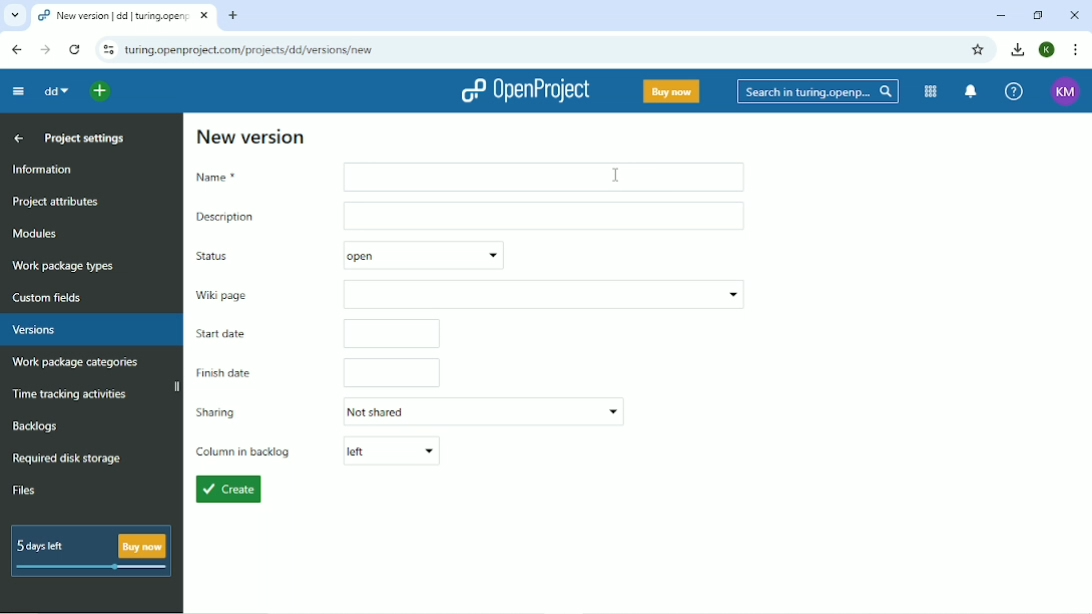  What do you see at coordinates (1039, 15) in the screenshot?
I see `Restore down` at bounding box center [1039, 15].